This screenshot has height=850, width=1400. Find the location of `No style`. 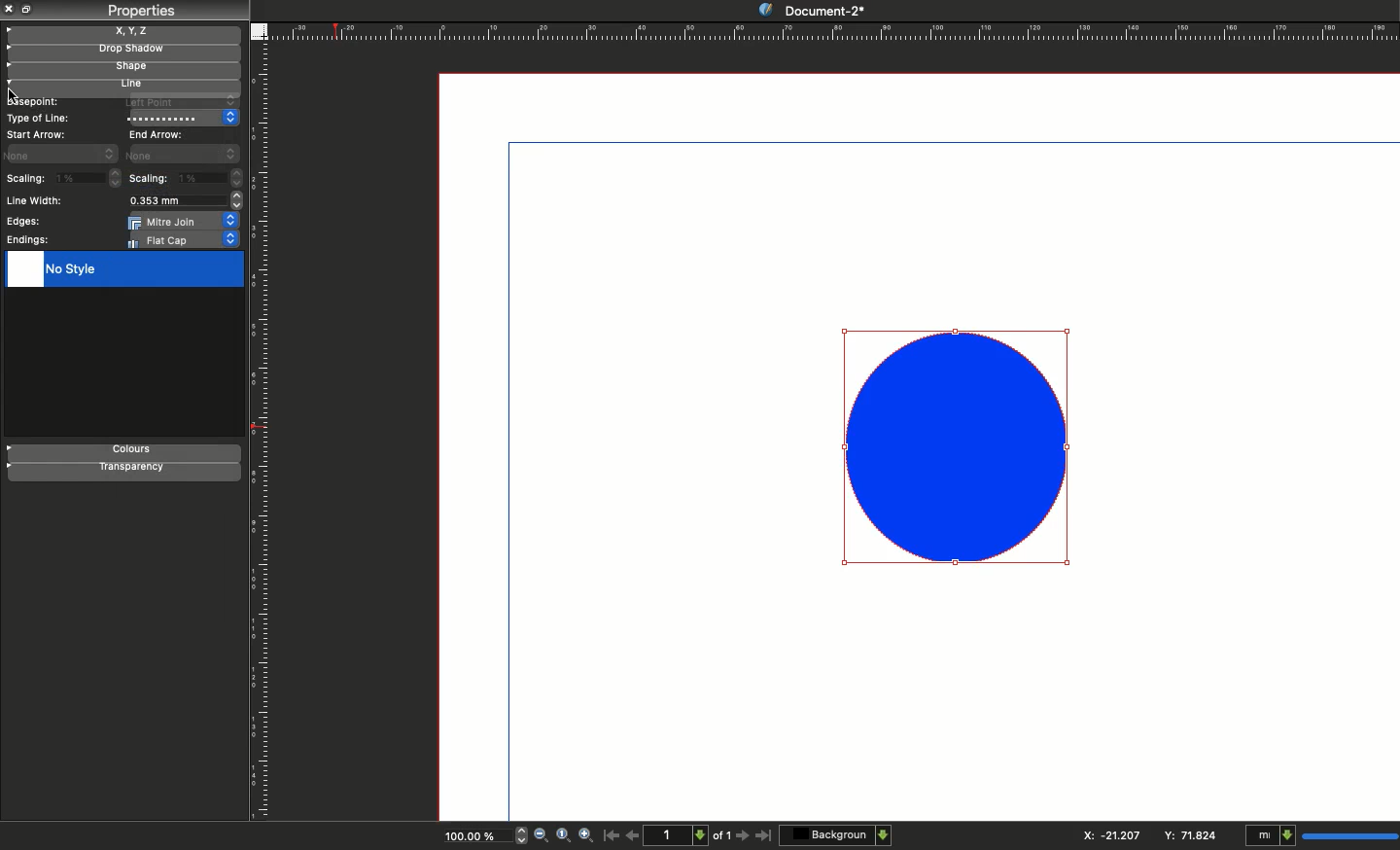

No style is located at coordinates (122, 270).